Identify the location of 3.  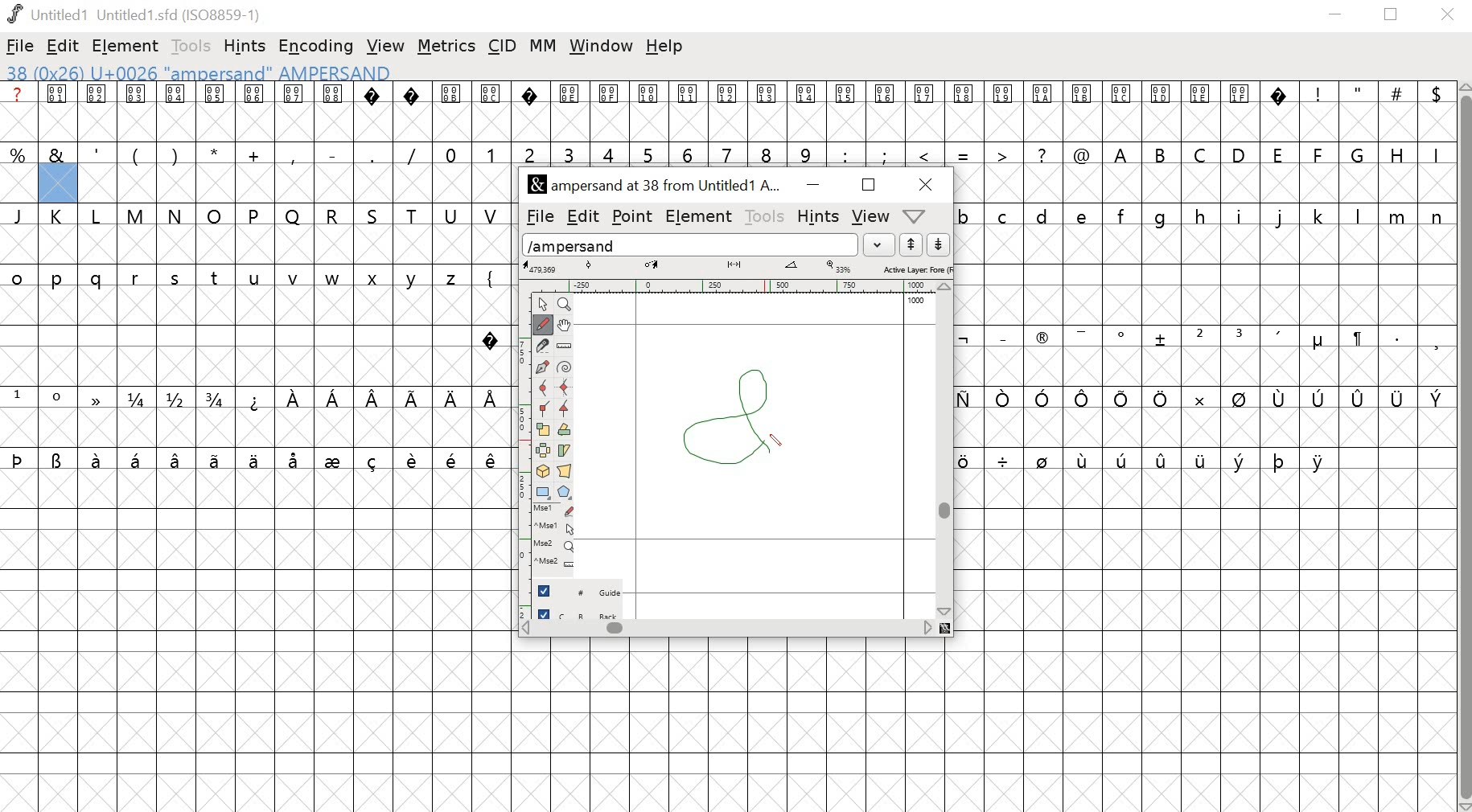
(569, 153).